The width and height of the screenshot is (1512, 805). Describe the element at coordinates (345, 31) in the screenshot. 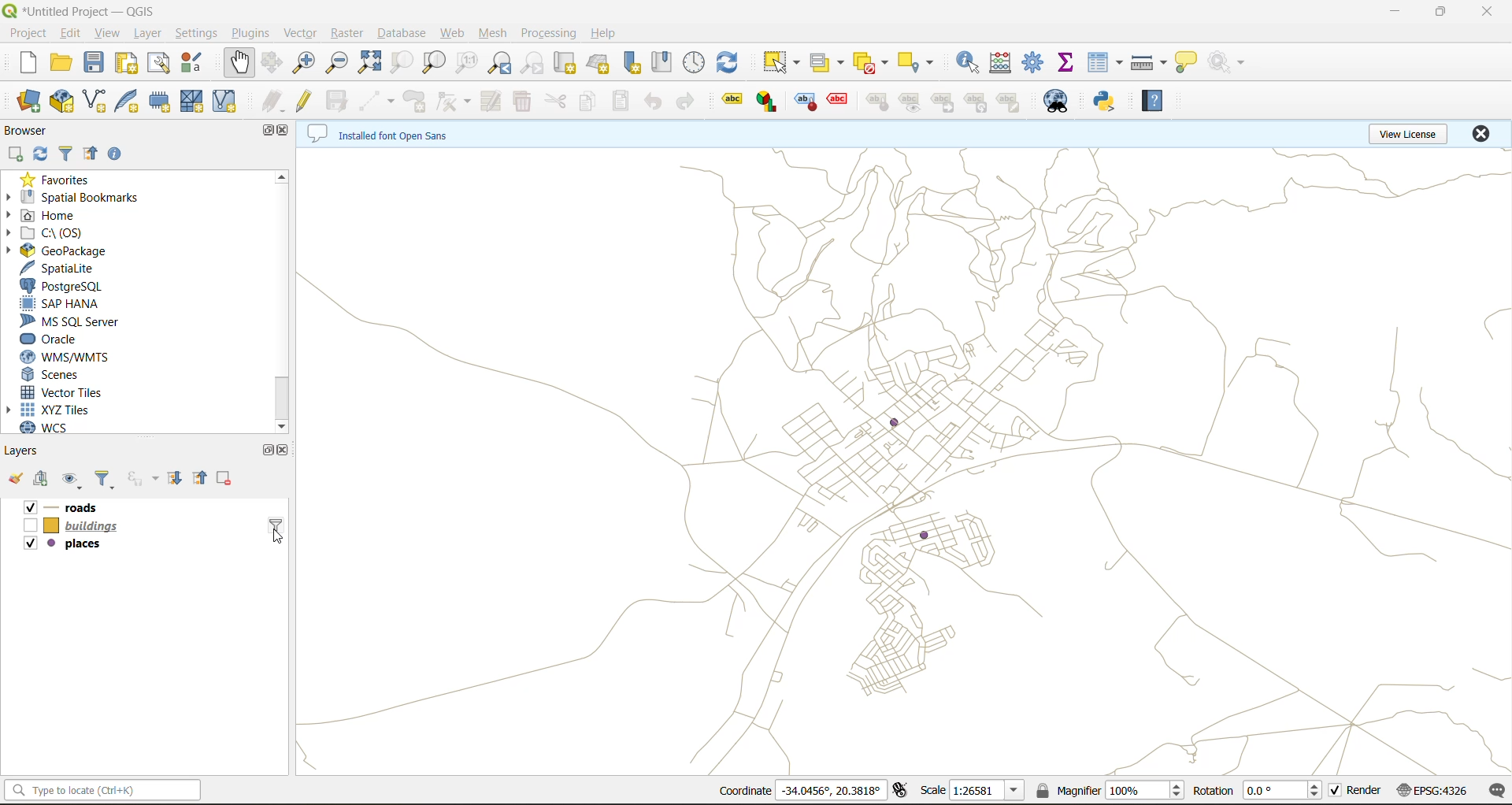

I see `raster` at that location.